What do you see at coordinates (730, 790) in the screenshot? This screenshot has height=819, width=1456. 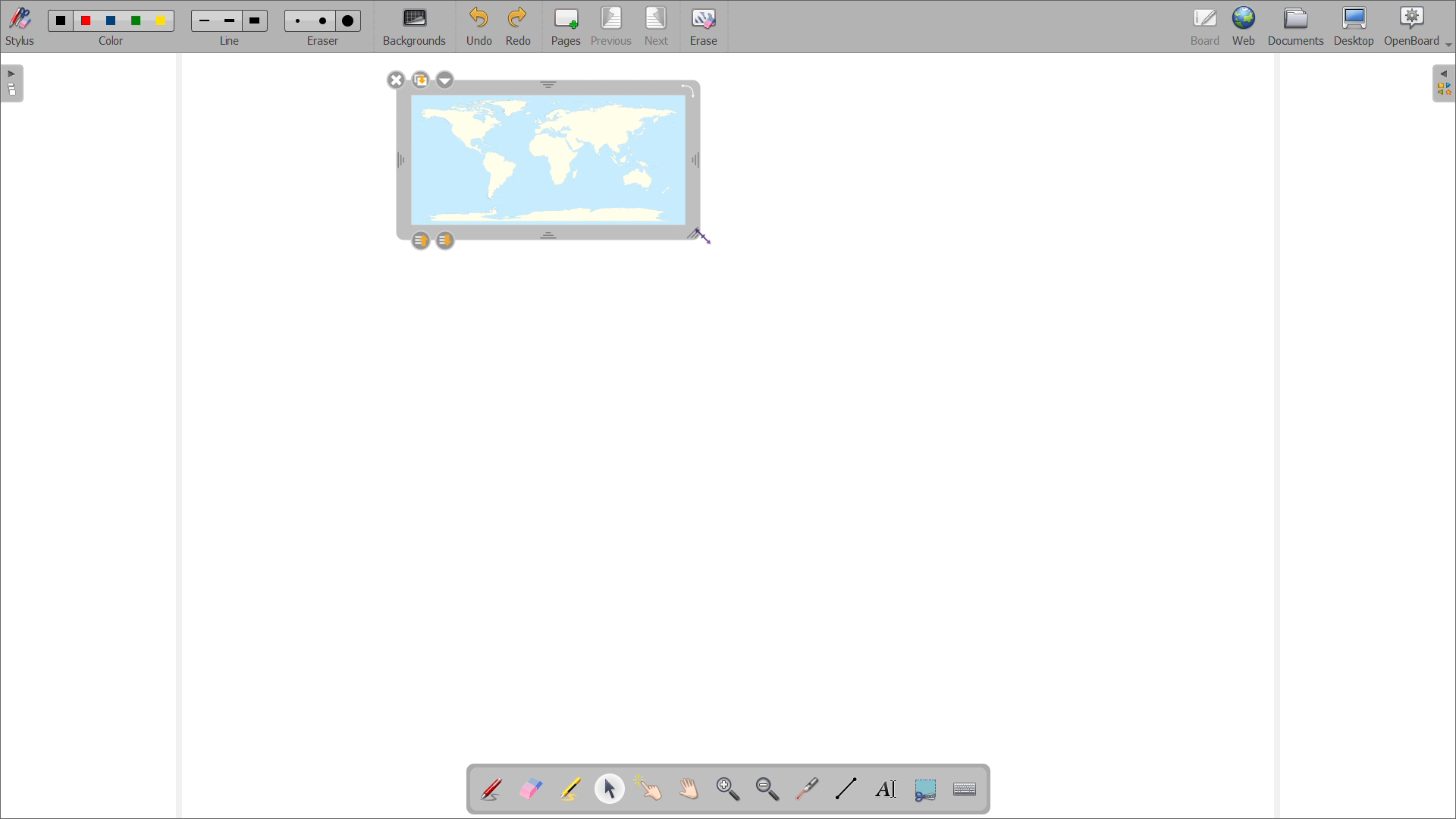 I see `zoom in` at bounding box center [730, 790].